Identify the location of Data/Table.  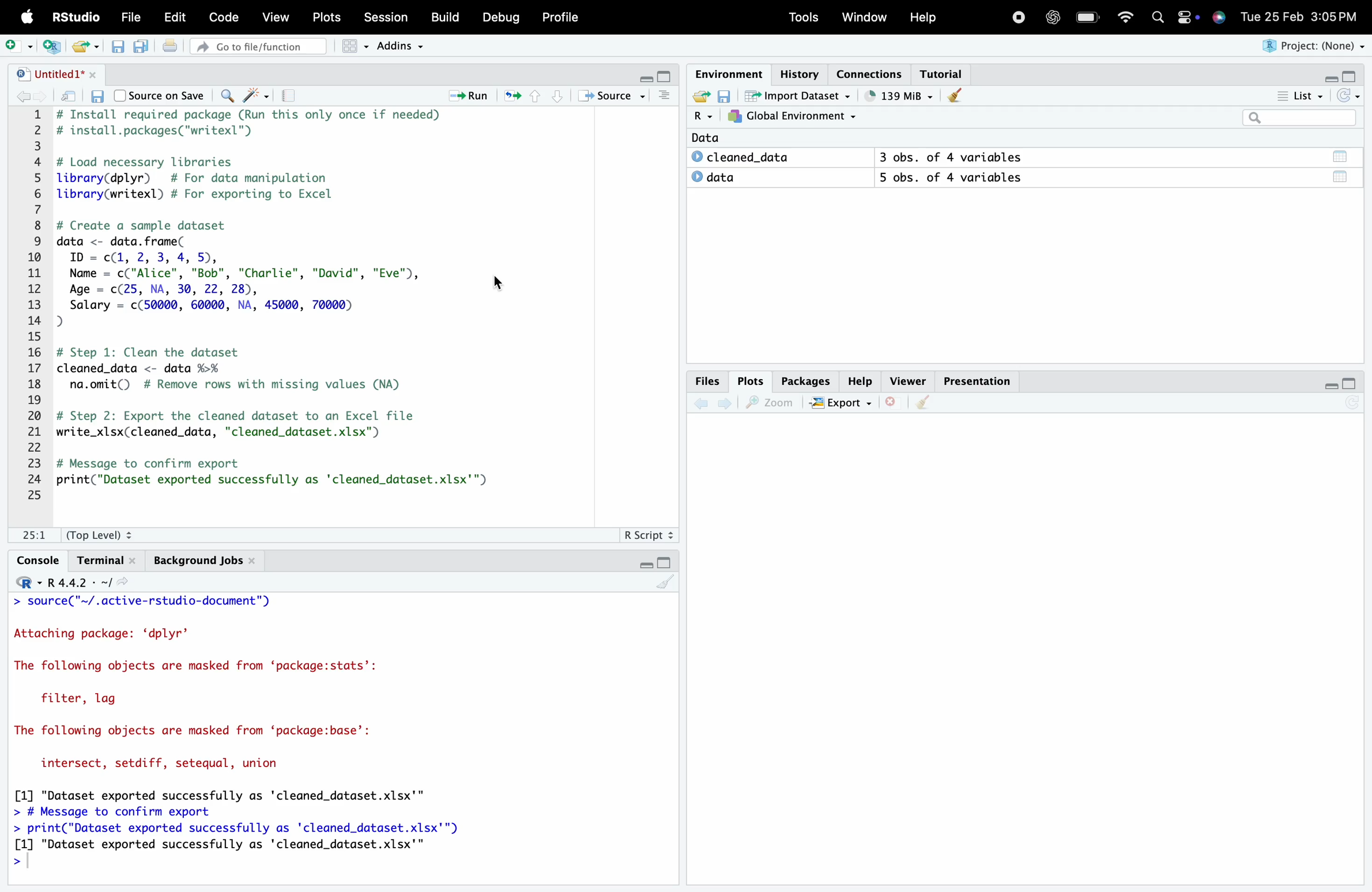
(1343, 153).